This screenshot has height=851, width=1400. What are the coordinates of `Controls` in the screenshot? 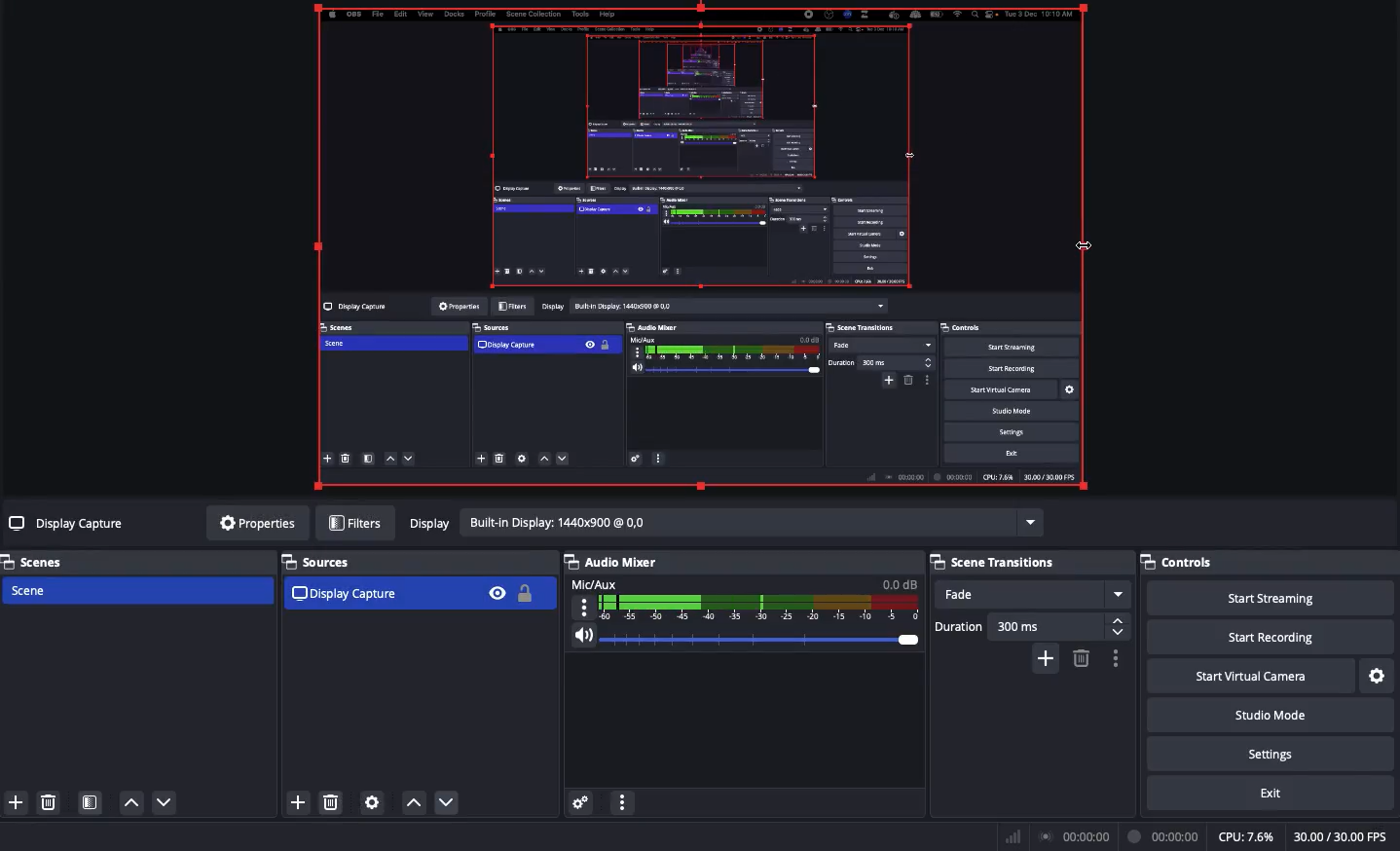 It's located at (1270, 562).